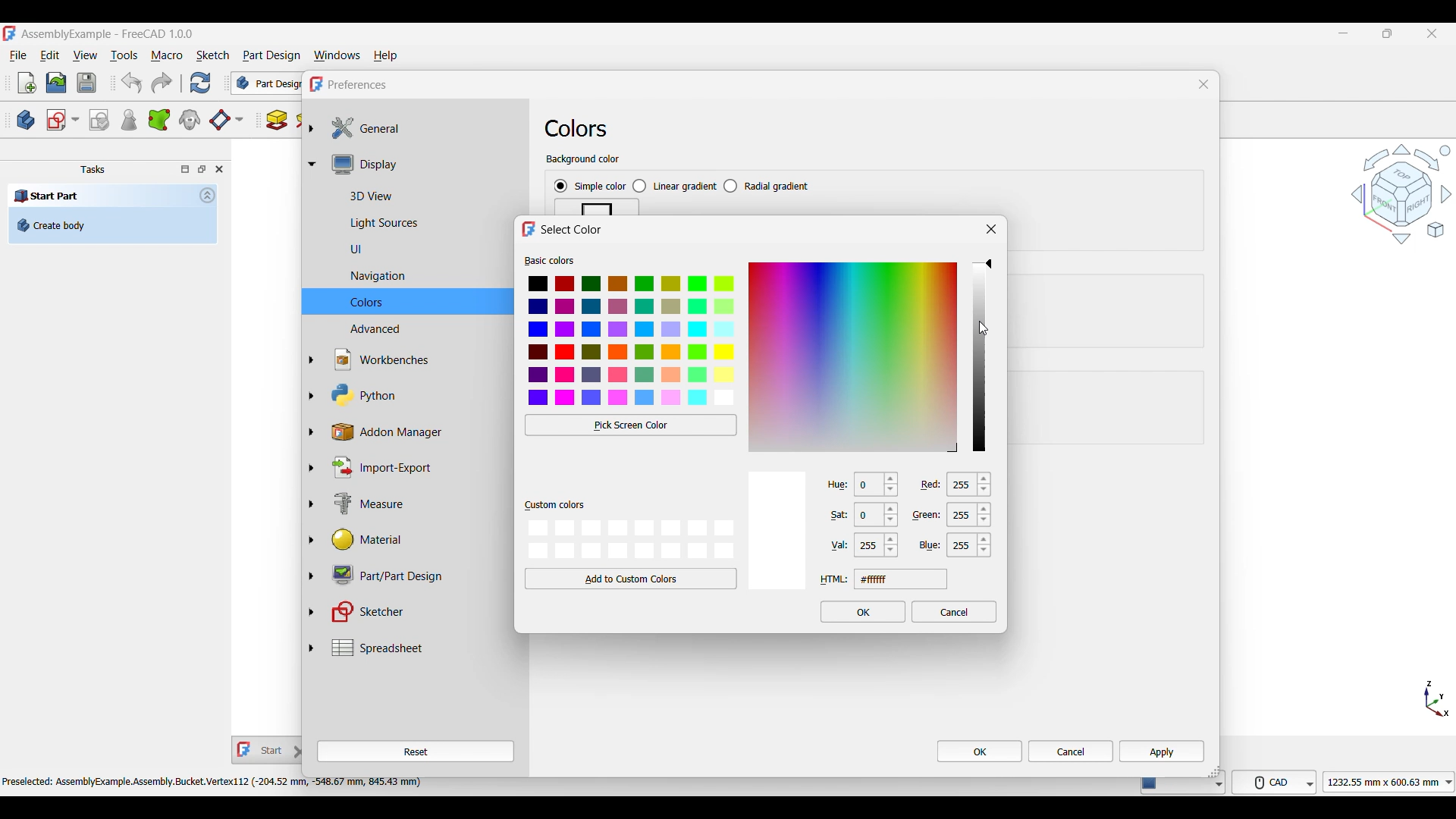 This screenshot has height=819, width=1456. Describe the element at coordinates (93, 170) in the screenshot. I see `Tasks` at that location.